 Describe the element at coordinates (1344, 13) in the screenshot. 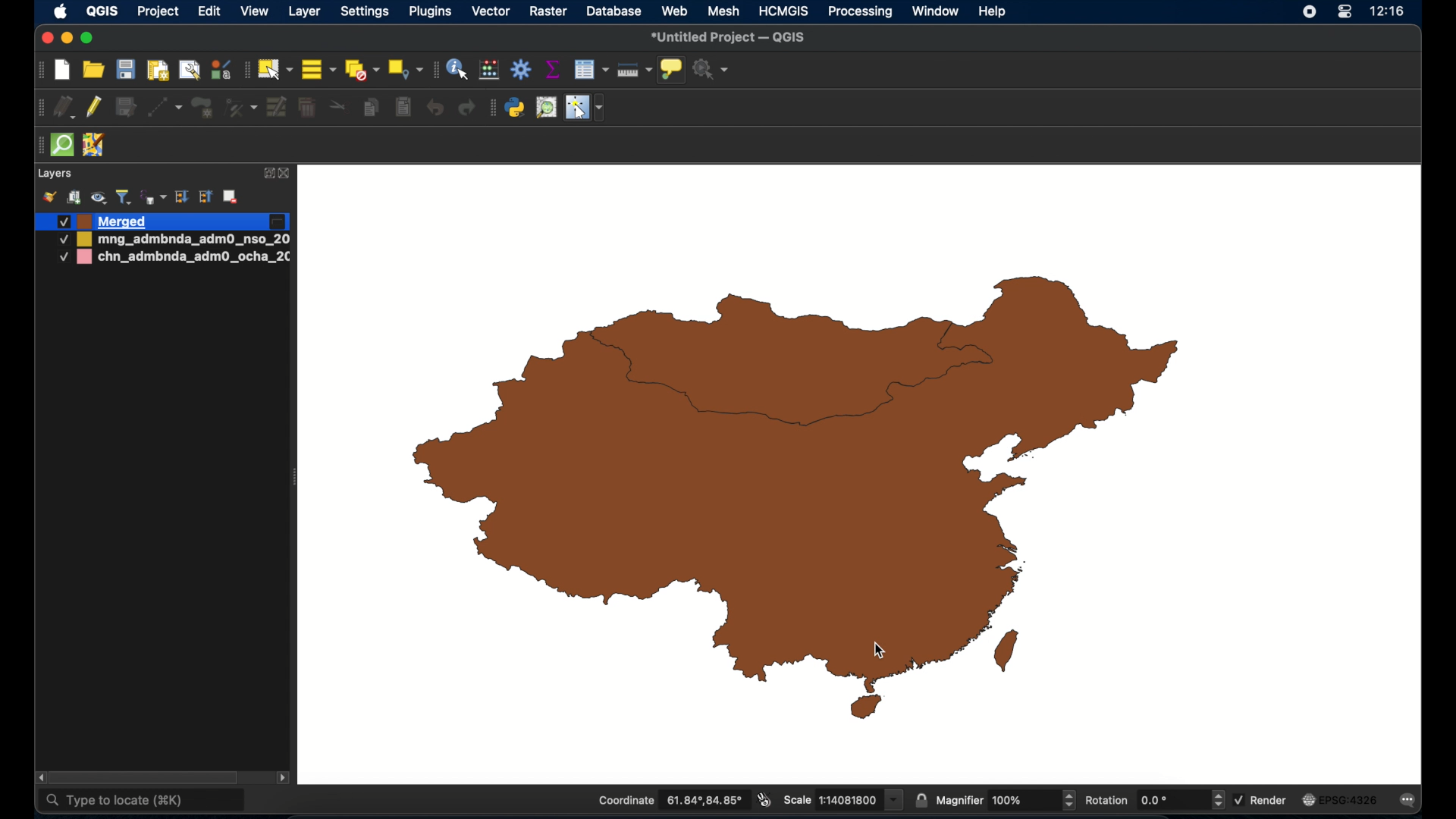

I see `control center` at that location.